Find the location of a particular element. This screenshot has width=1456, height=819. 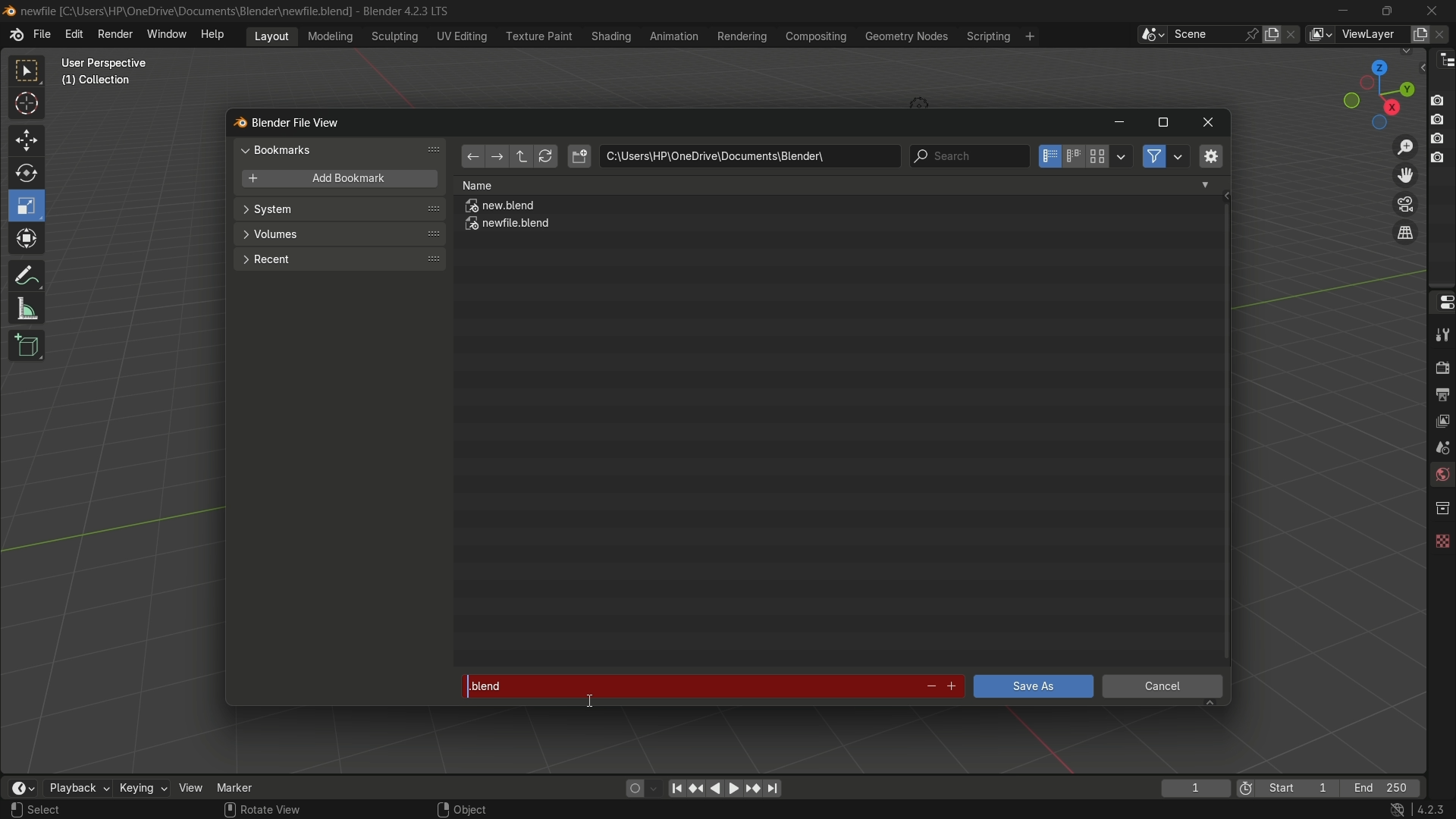

cursor is located at coordinates (27, 106).